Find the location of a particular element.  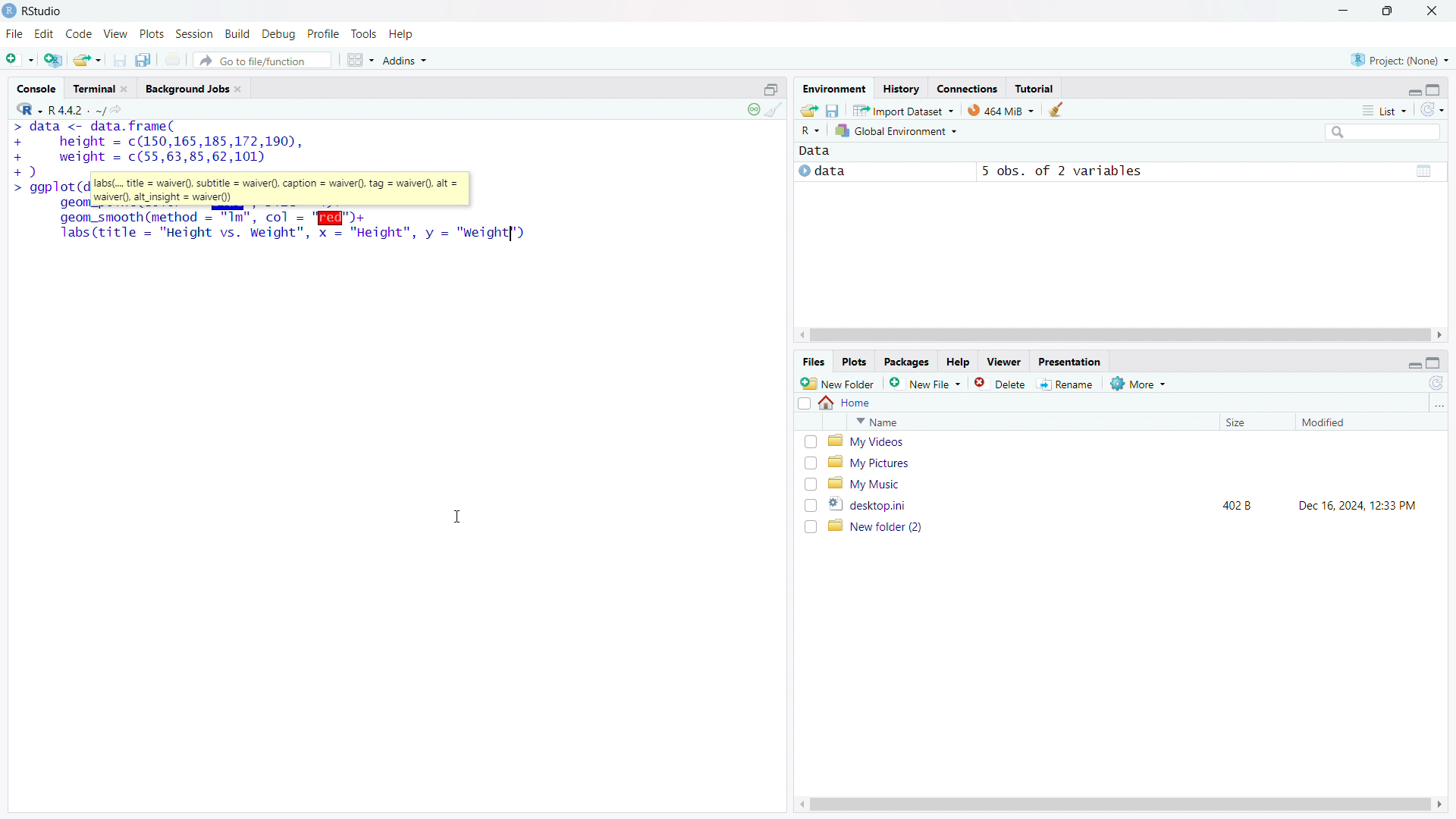

my videos is located at coordinates (1131, 441).